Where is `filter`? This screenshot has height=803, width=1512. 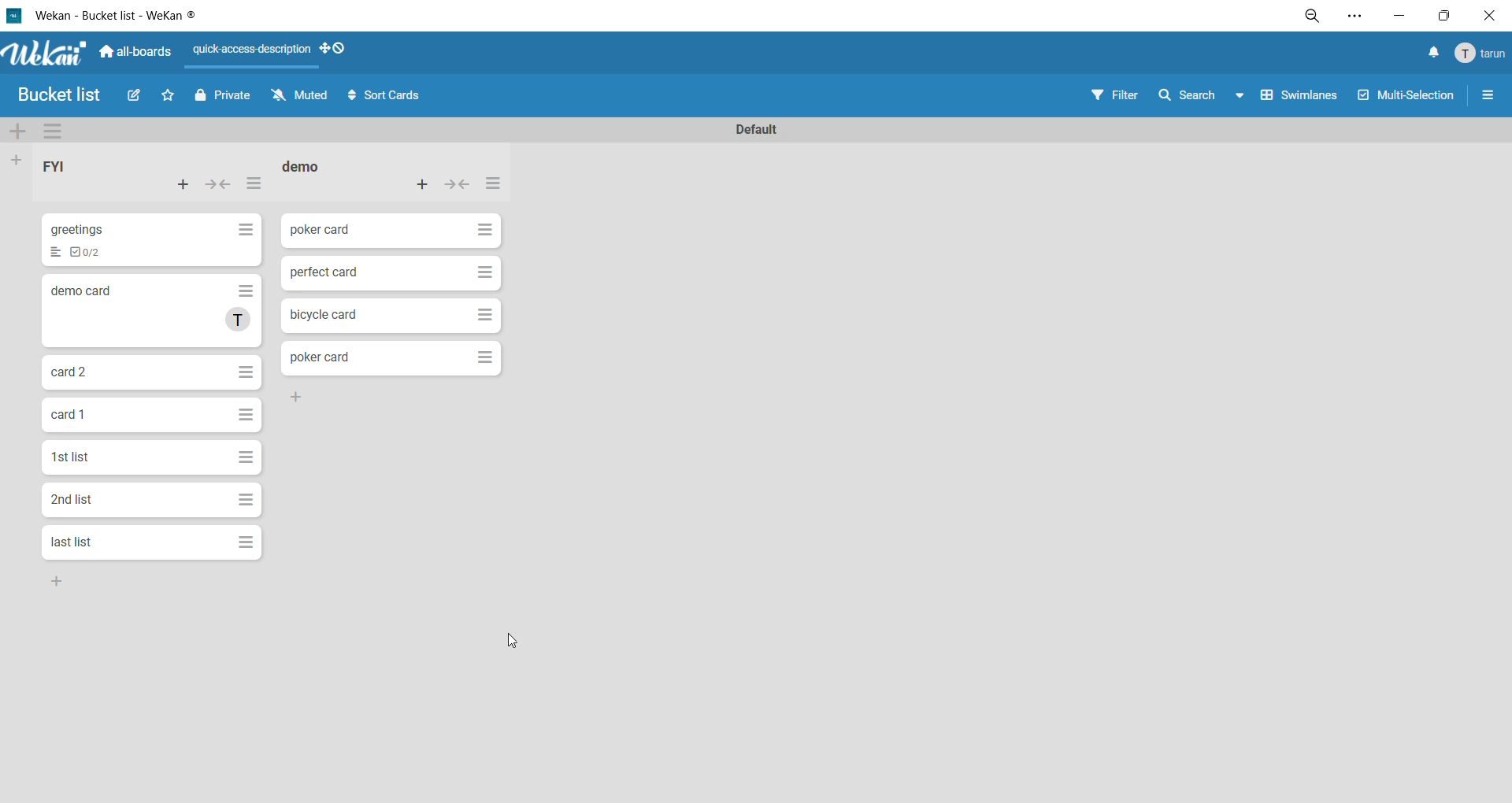
filter is located at coordinates (1119, 94).